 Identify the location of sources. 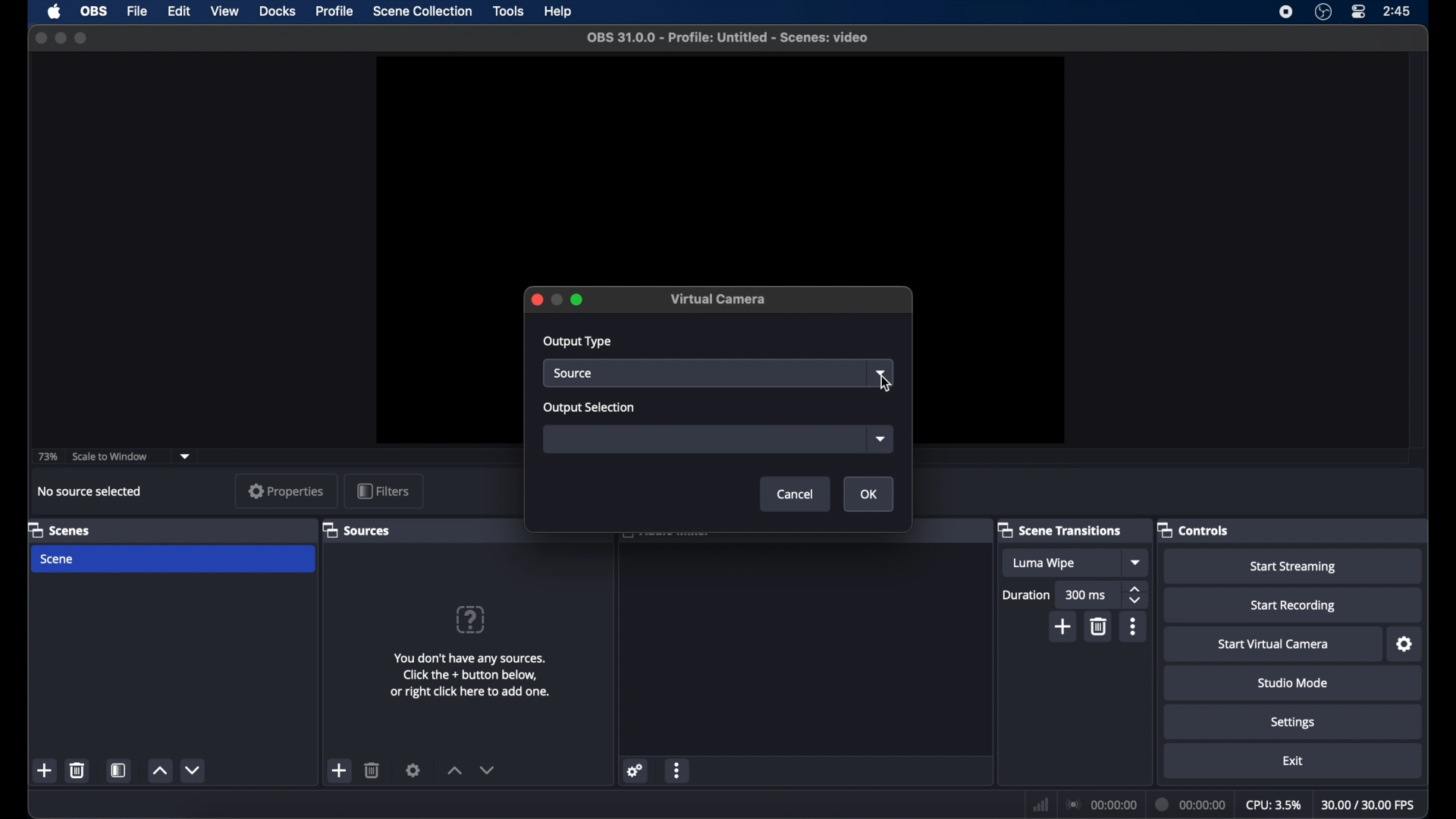
(356, 530).